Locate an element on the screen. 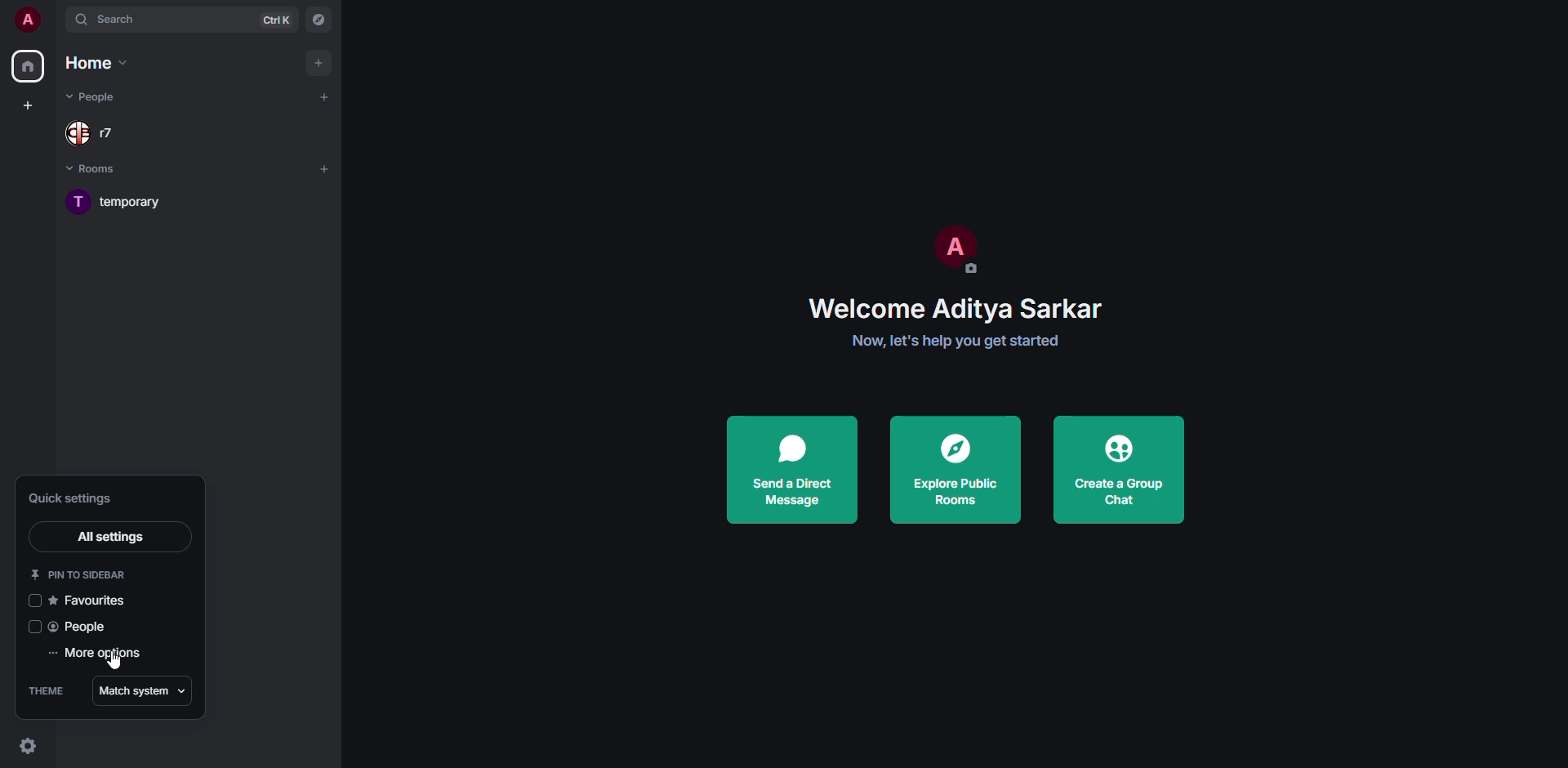 This screenshot has height=768, width=1568. create a group chat is located at coordinates (1120, 470).